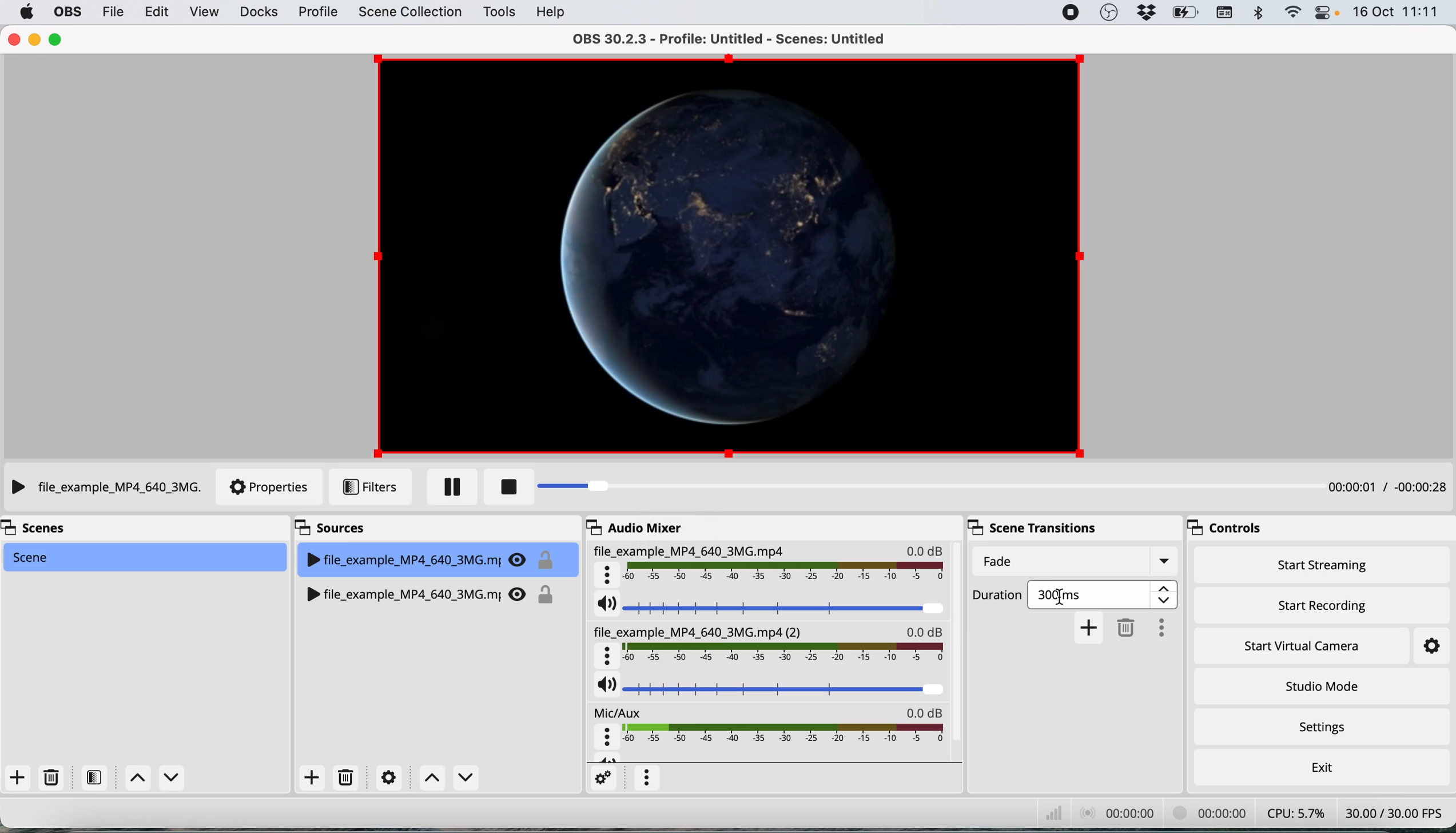 The height and width of the screenshot is (833, 1456). I want to click on properties, so click(270, 487).